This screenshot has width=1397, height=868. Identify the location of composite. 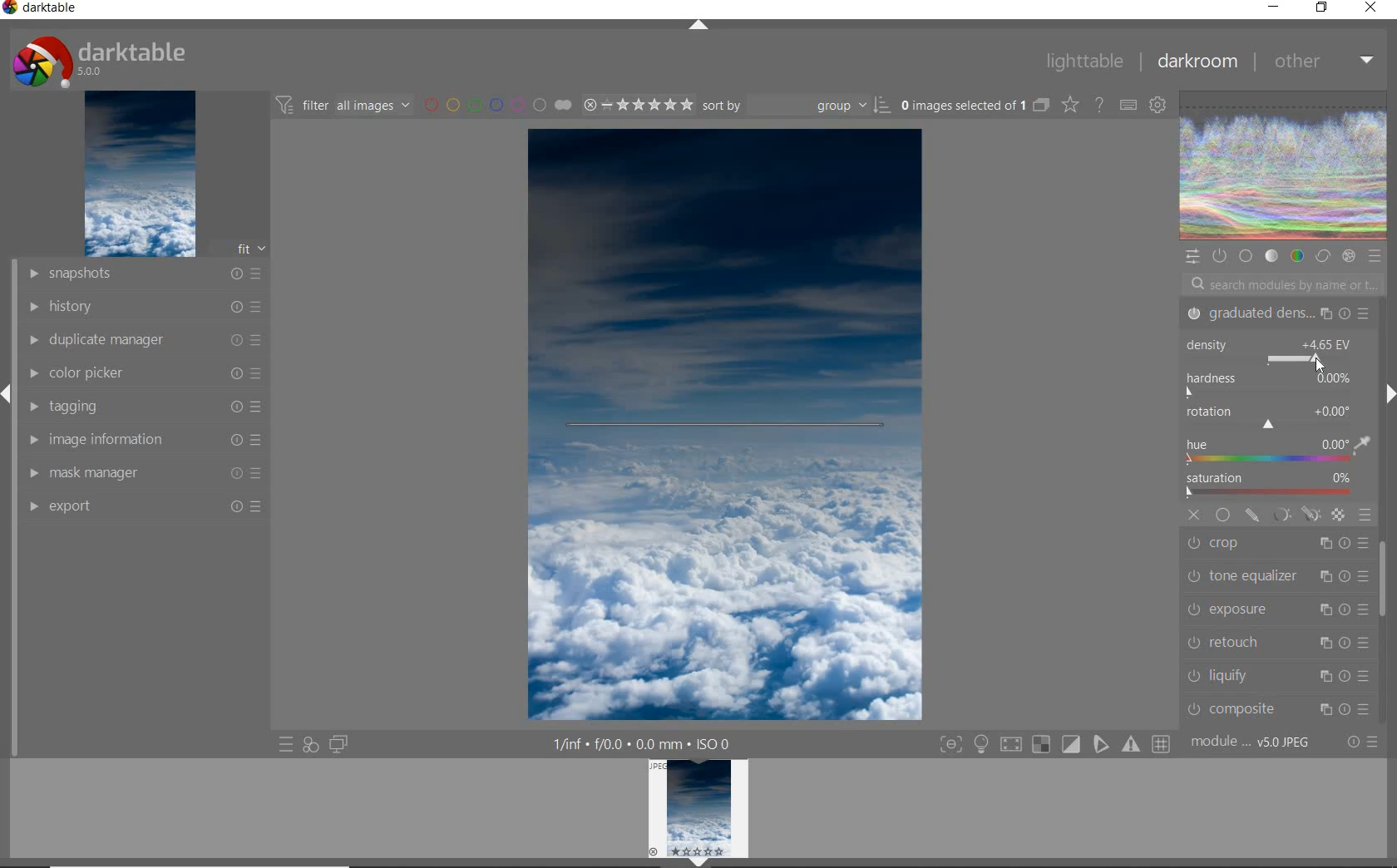
(1278, 708).